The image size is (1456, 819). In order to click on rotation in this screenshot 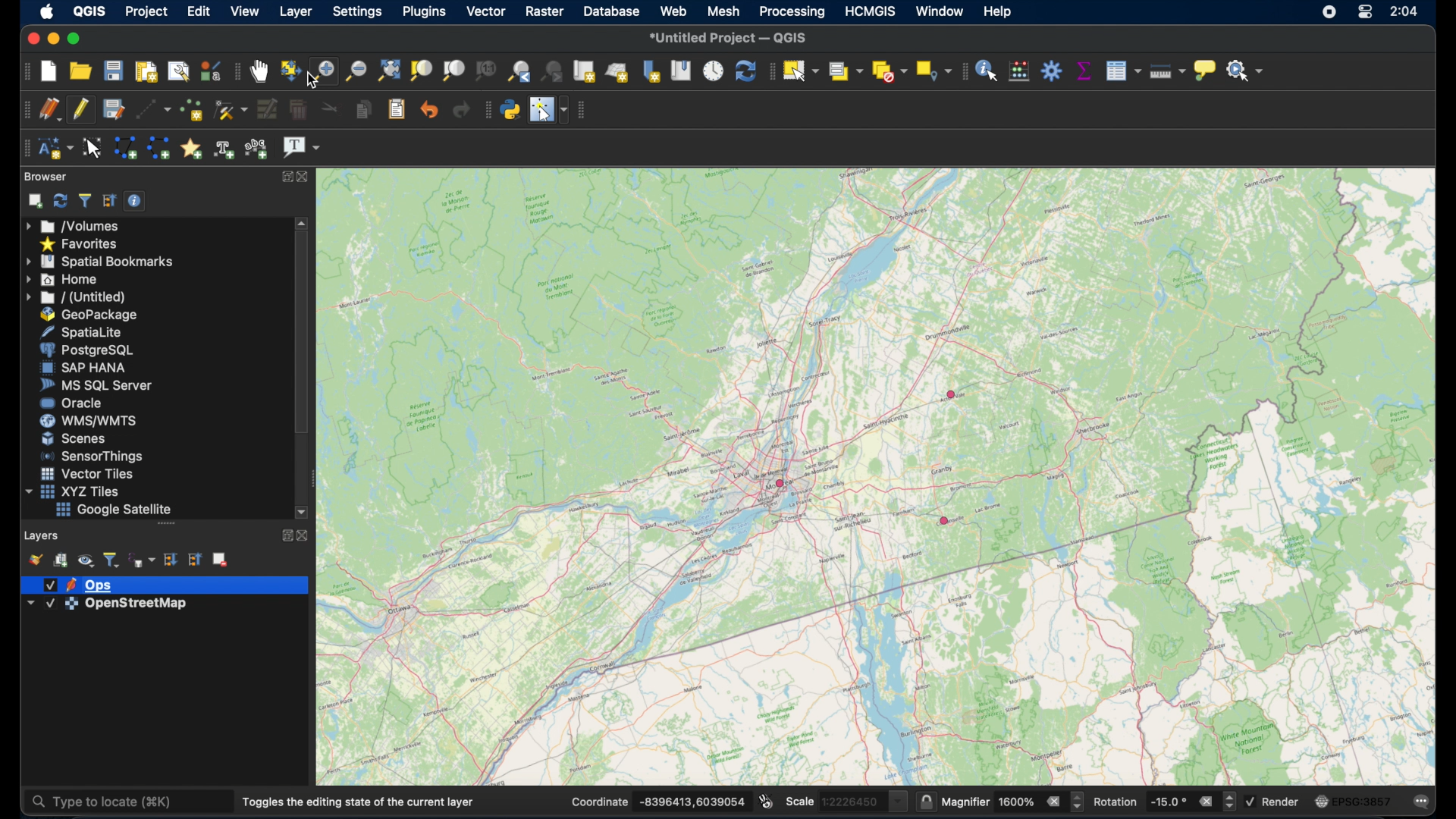, I will do `click(1166, 802)`.